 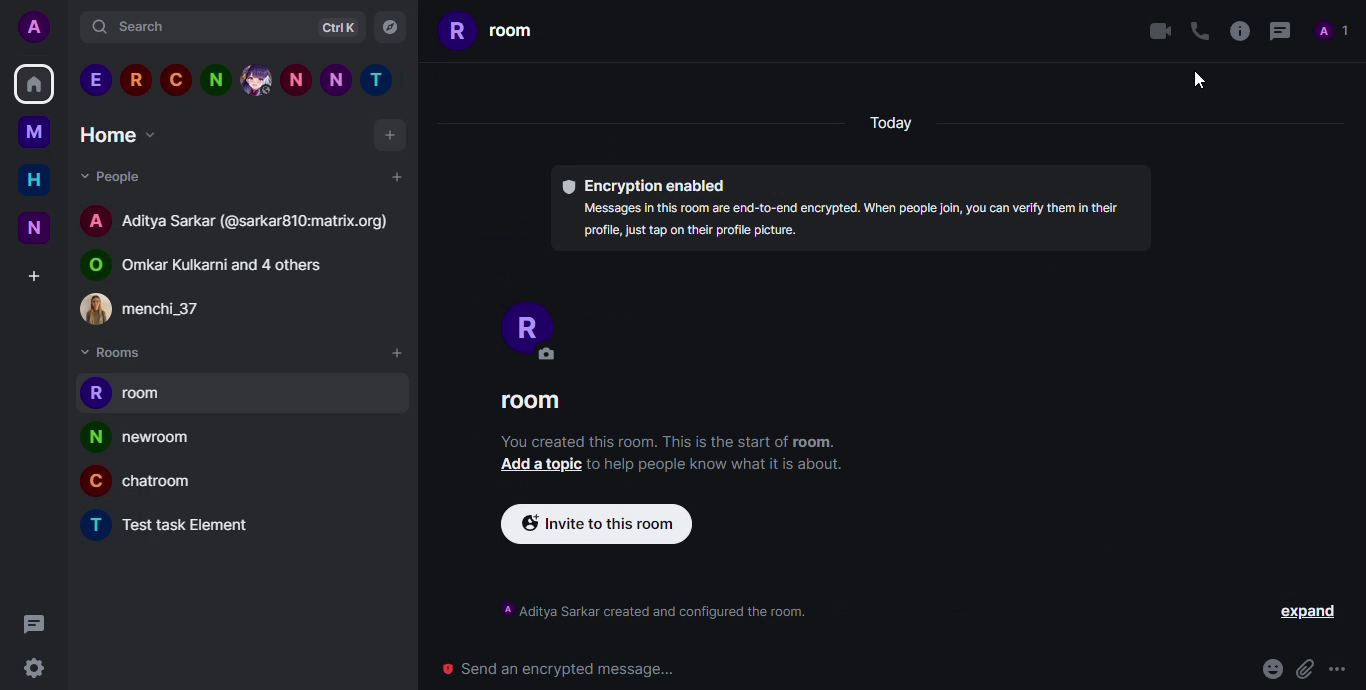 What do you see at coordinates (331, 29) in the screenshot?
I see `ctrlK` at bounding box center [331, 29].